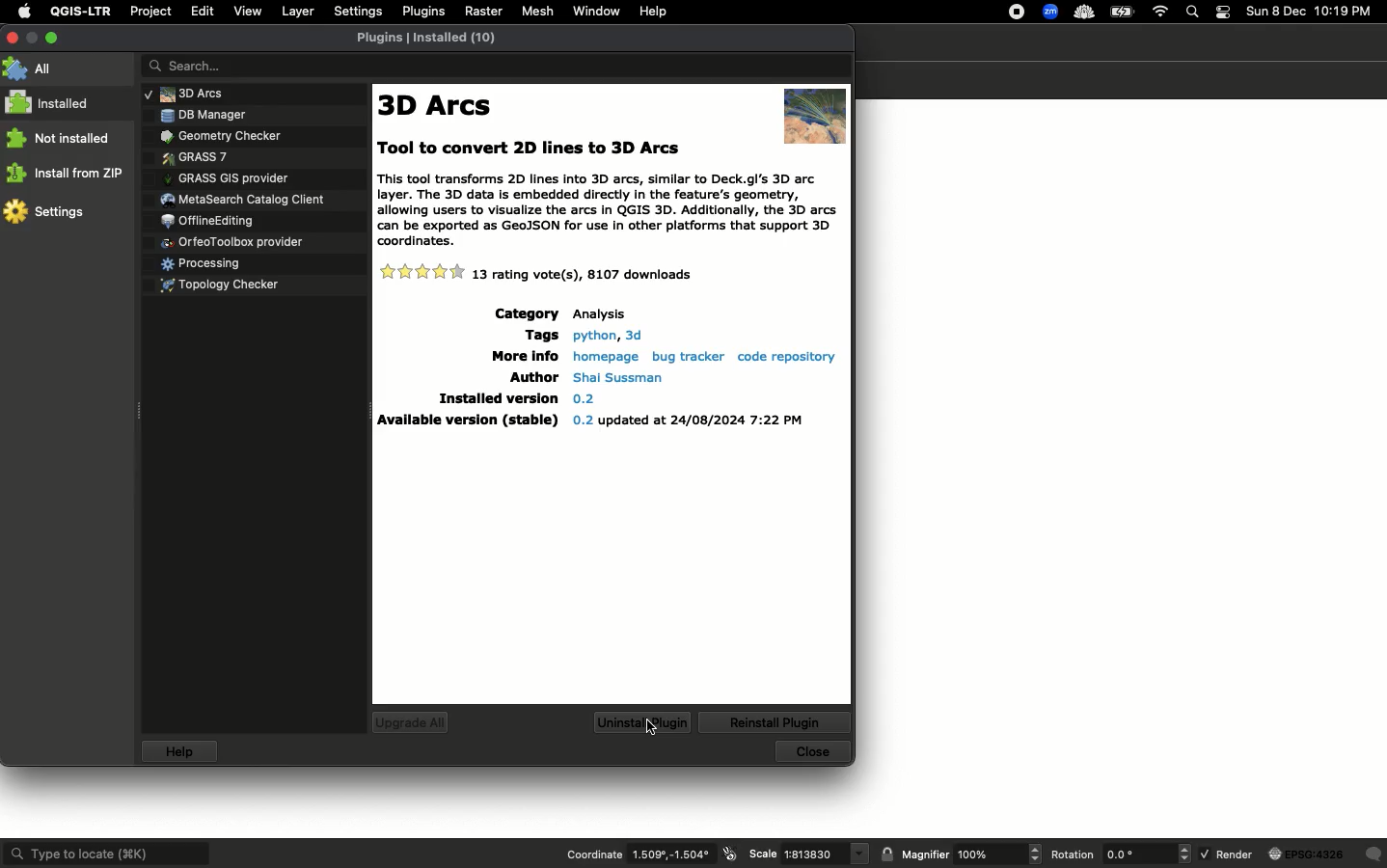 The width and height of the screenshot is (1387, 868). Describe the element at coordinates (47, 213) in the screenshot. I see `Settings` at that location.